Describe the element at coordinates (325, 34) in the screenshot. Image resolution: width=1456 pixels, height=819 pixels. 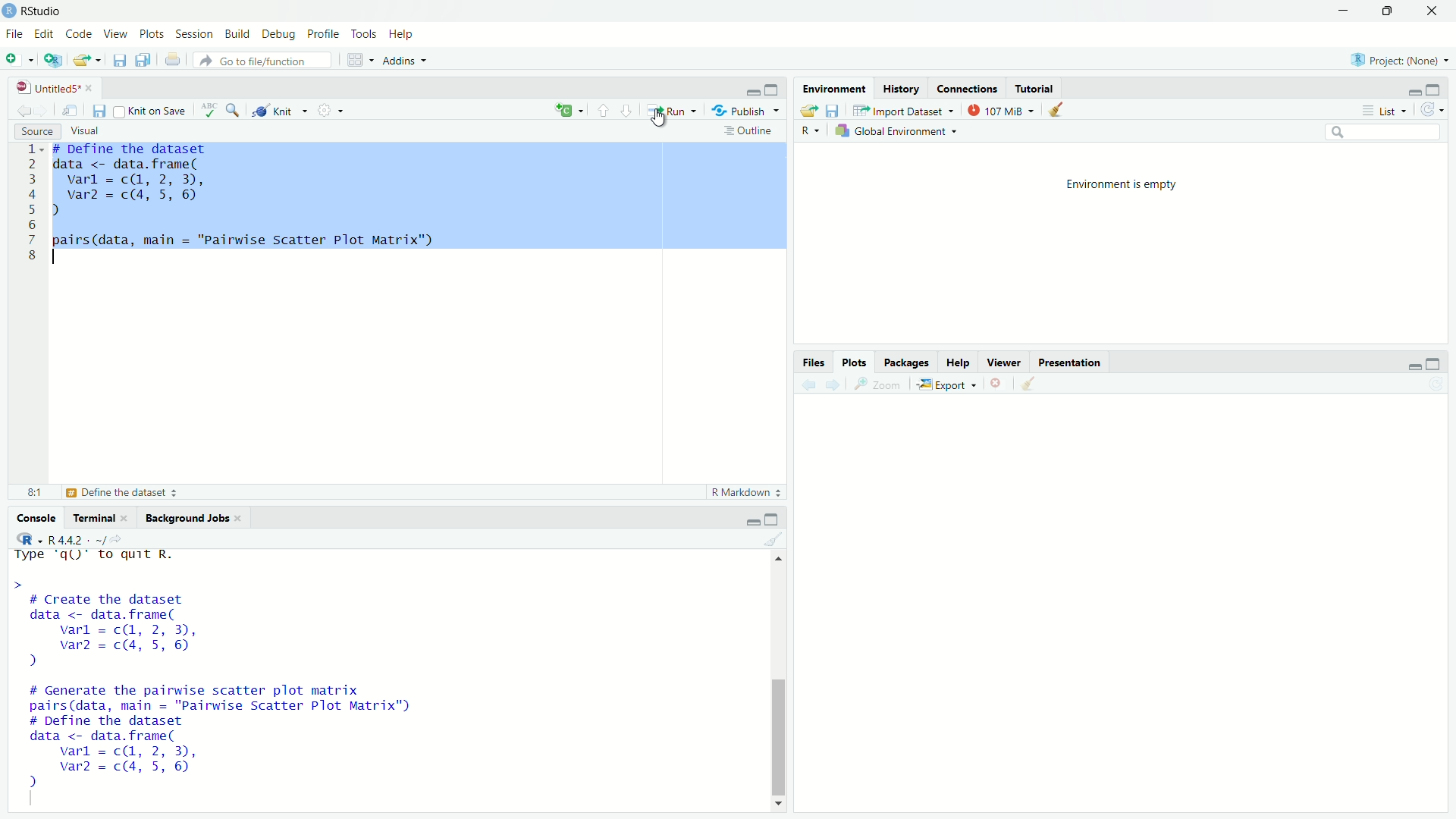
I see `Profile` at that location.